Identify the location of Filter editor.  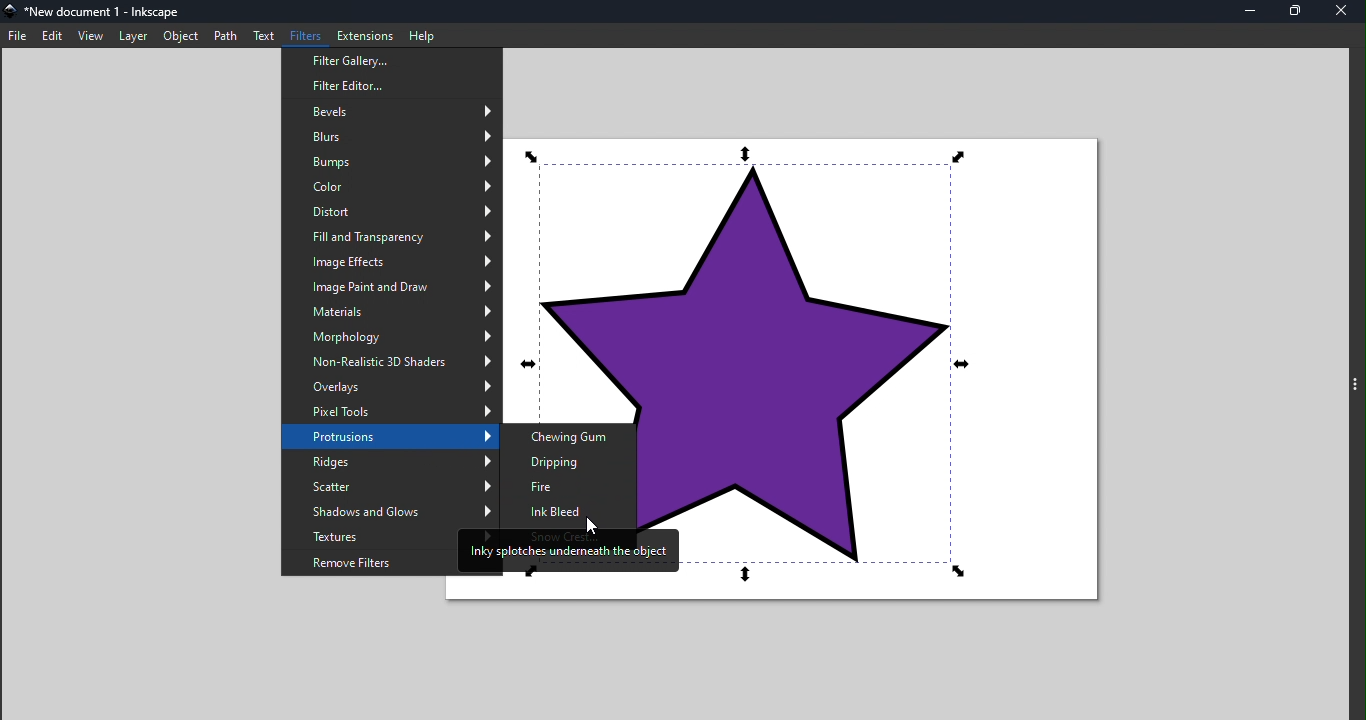
(390, 86).